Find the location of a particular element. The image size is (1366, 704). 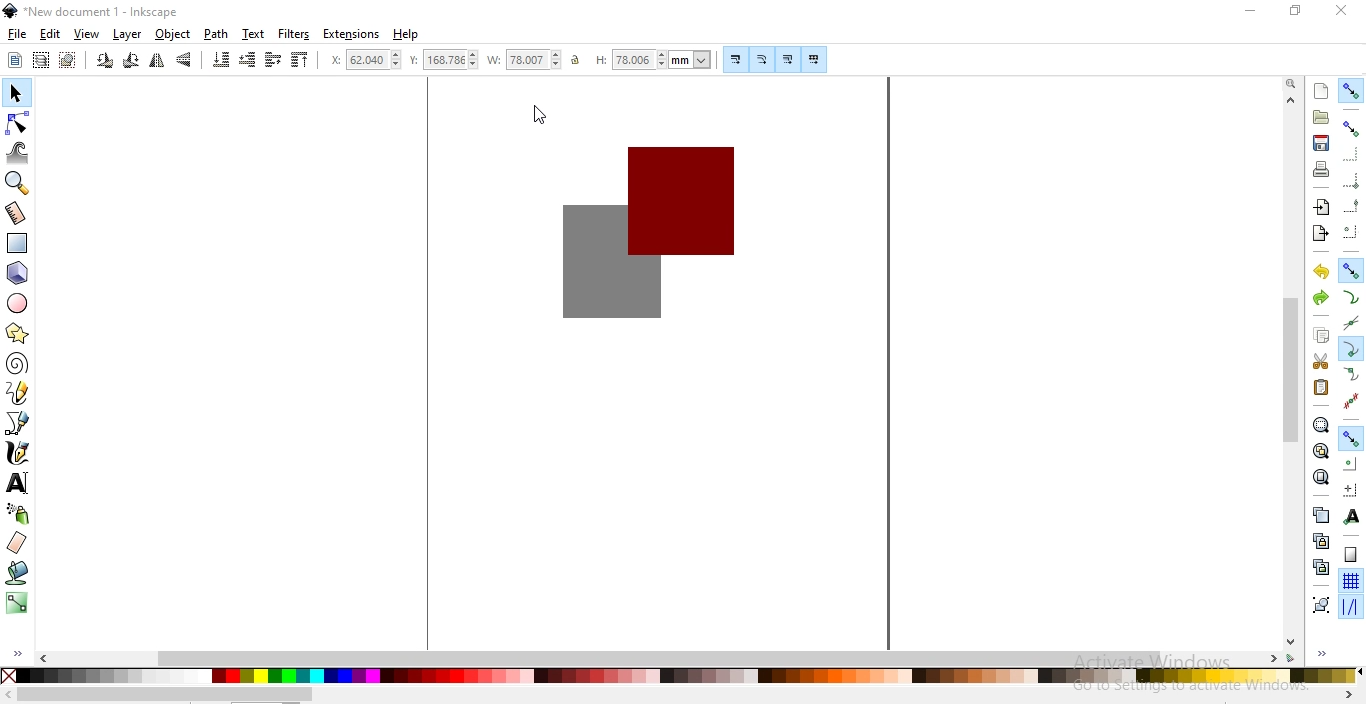

view is located at coordinates (87, 35).